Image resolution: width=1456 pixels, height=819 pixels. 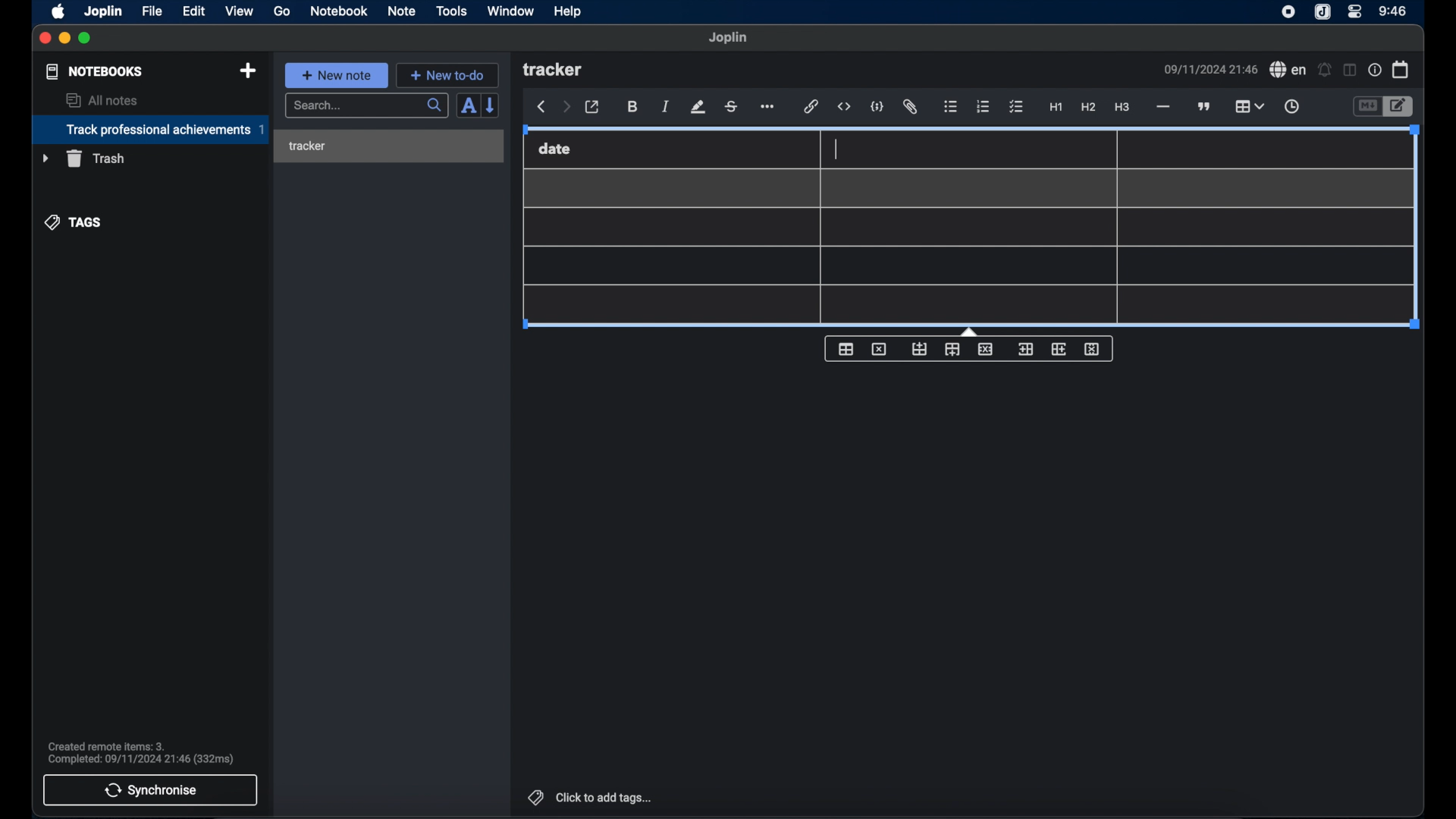 I want to click on tracker, so click(x=554, y=71).